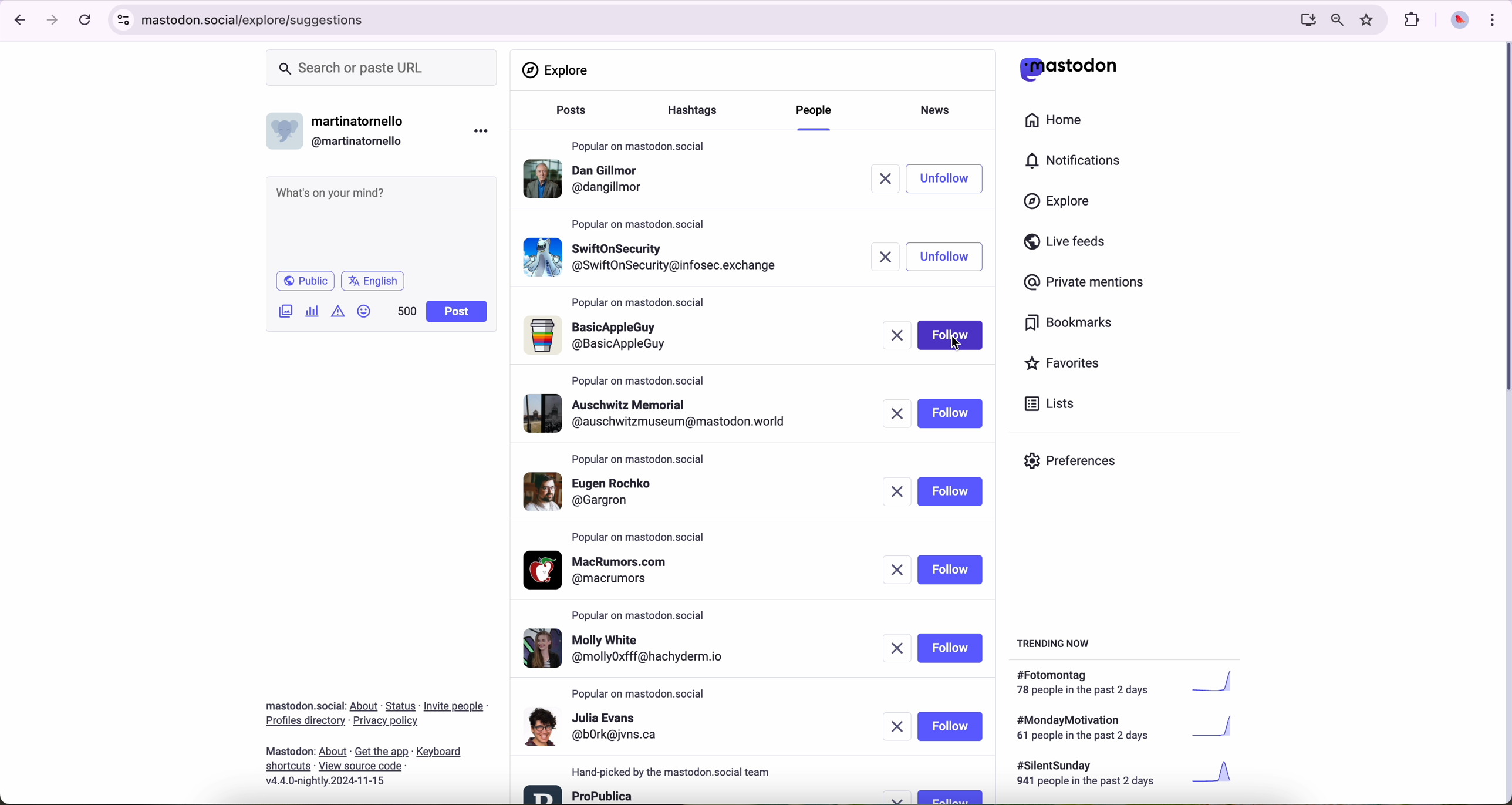 The image size is (1512, 805). I want to click on profile, so click(603, 490).